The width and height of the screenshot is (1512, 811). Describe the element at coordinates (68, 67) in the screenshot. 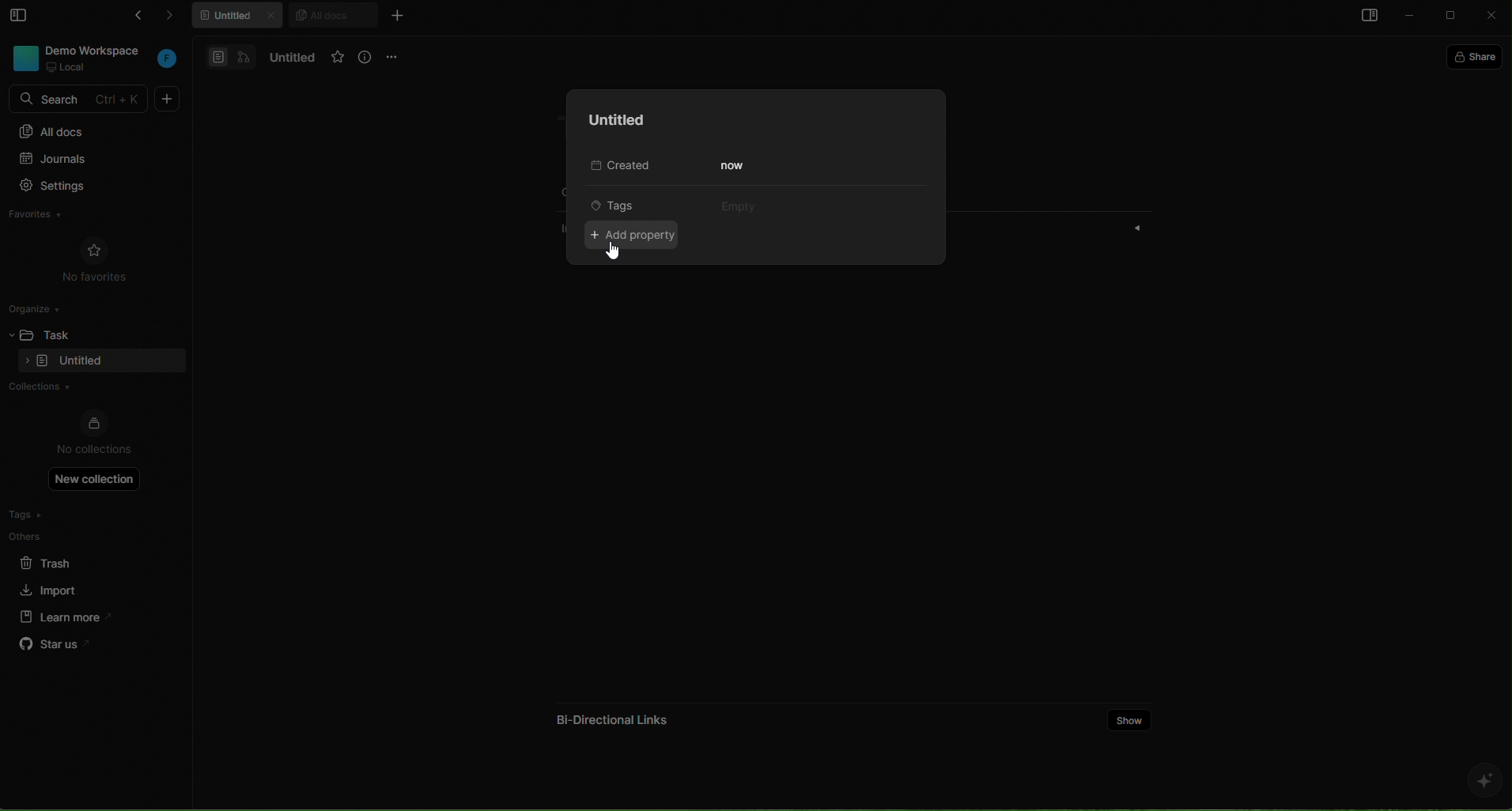

I see `local` at that location.